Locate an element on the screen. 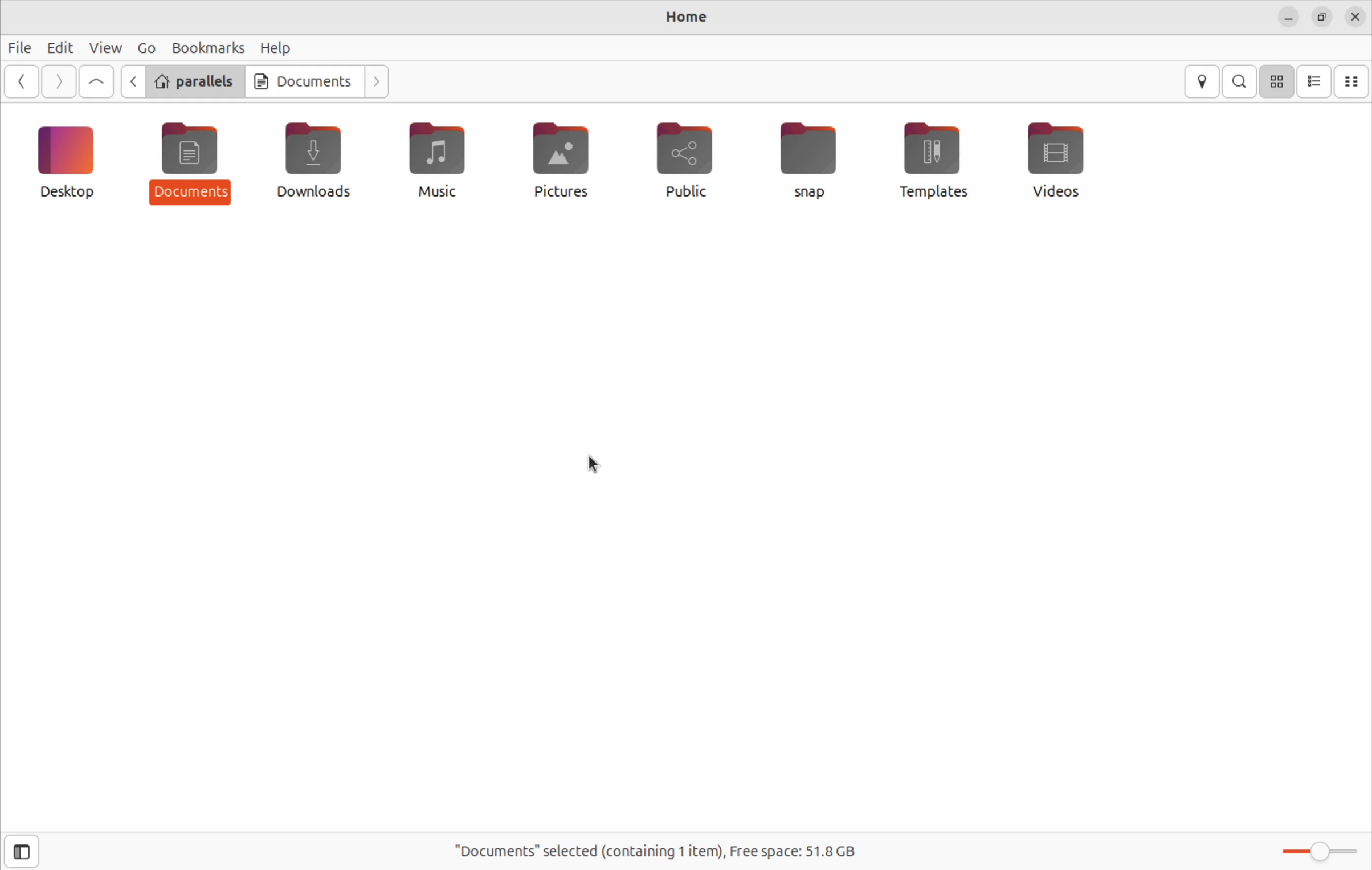  templates is located at coordinates (928, 164).